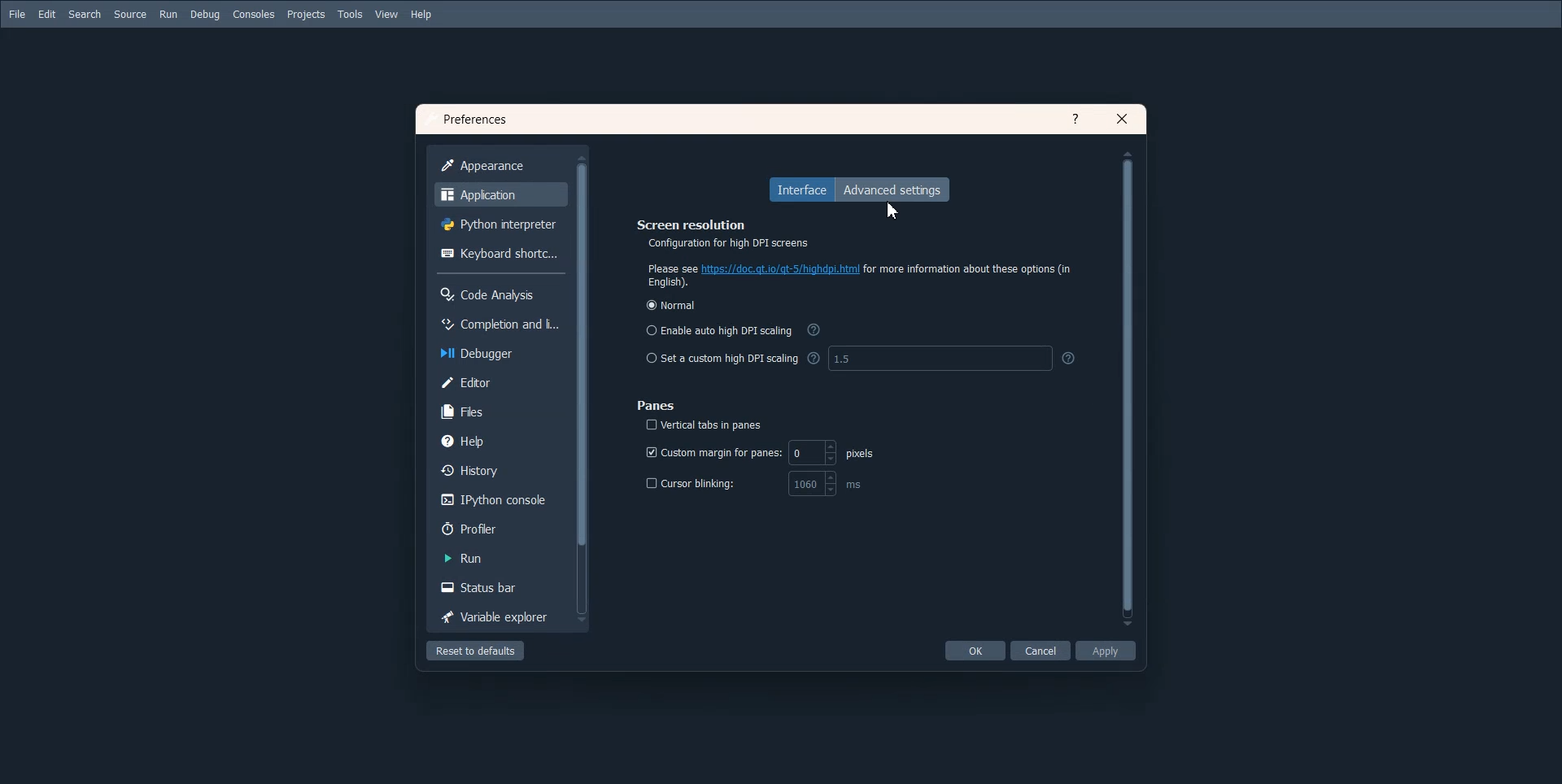 This screenshot has height=784, width=1562. What do you see at coordinates (1123, 118) in the screenshot?
I see `Close` at bounding box center [1123, 118].